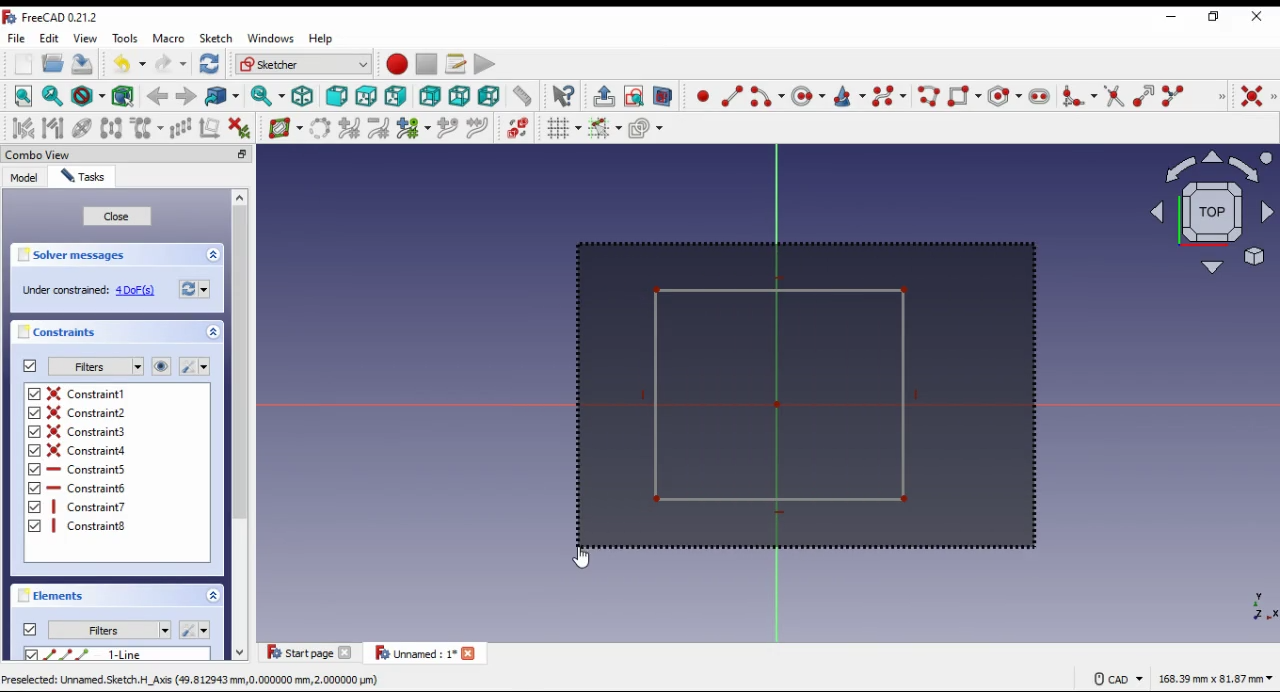 The width and height of the screenshot is (1280, 692). What do you see at coordinates (767, 96) in the screenshot?
I see `create arc` at bounding box center [767, 96].